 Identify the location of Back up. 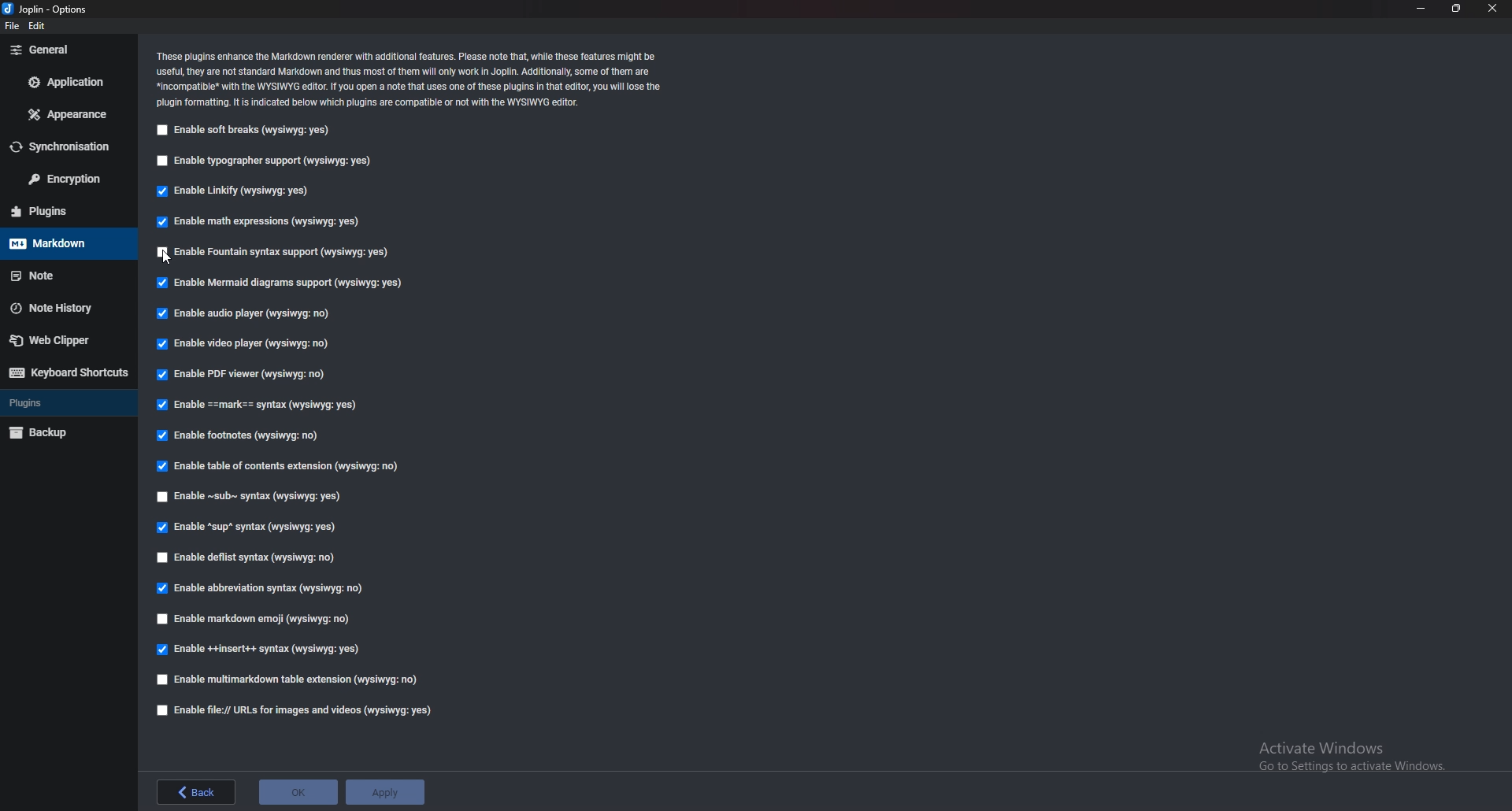
(63, 433).